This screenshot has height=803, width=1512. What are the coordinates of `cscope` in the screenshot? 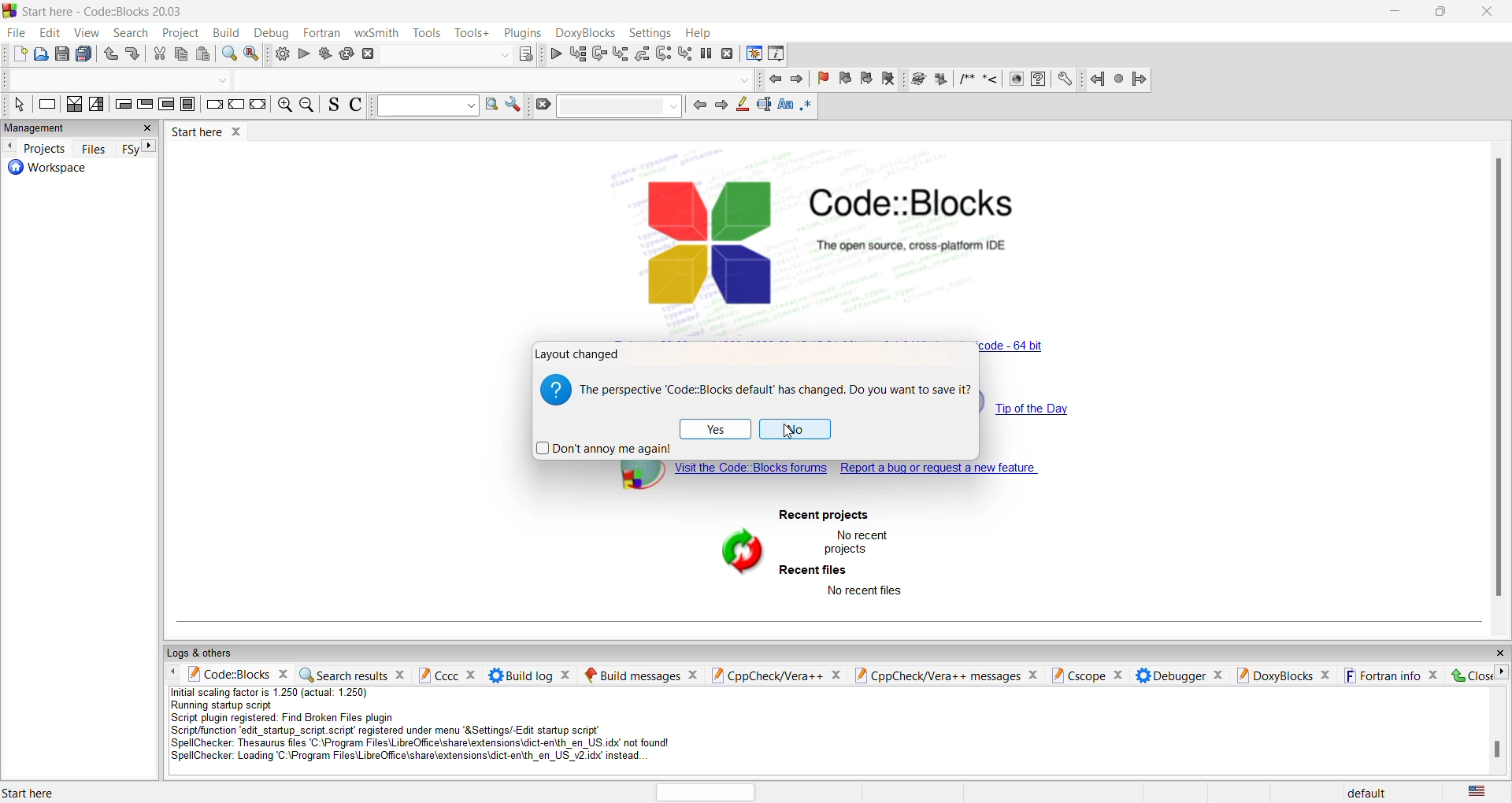 It's located at (1077, 676).